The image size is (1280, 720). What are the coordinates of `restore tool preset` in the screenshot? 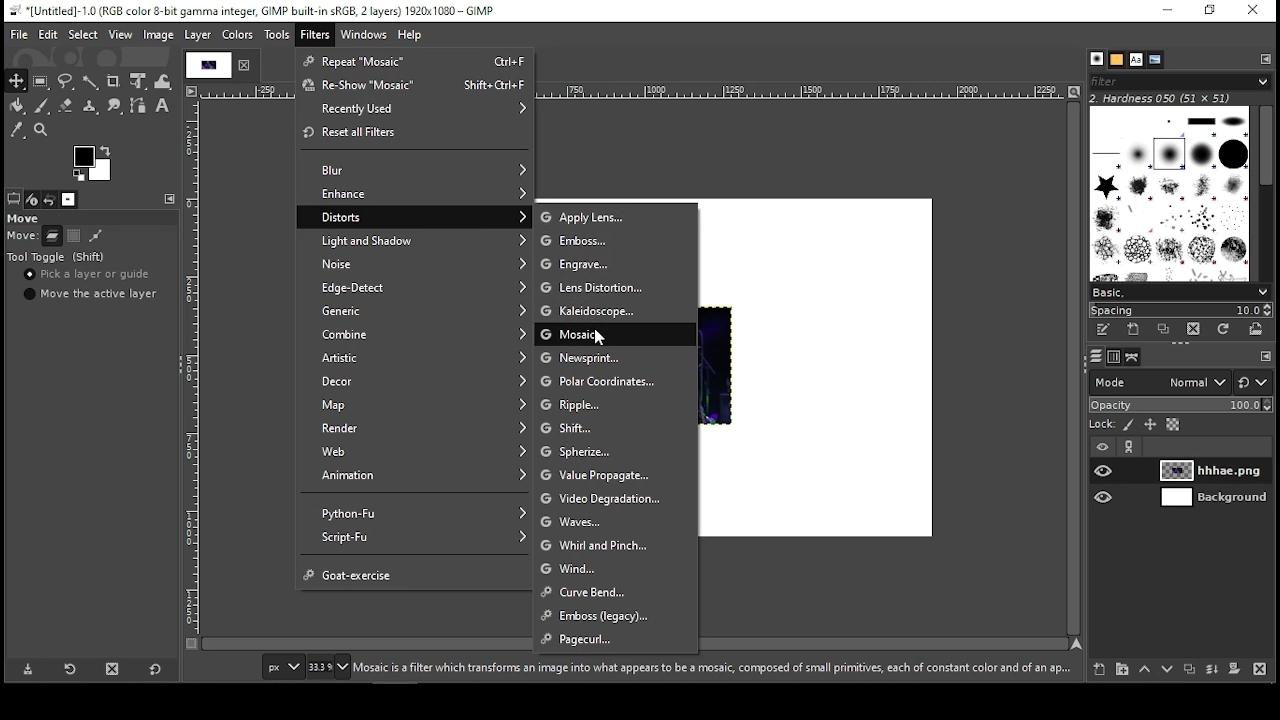 It's located at (70, 669).